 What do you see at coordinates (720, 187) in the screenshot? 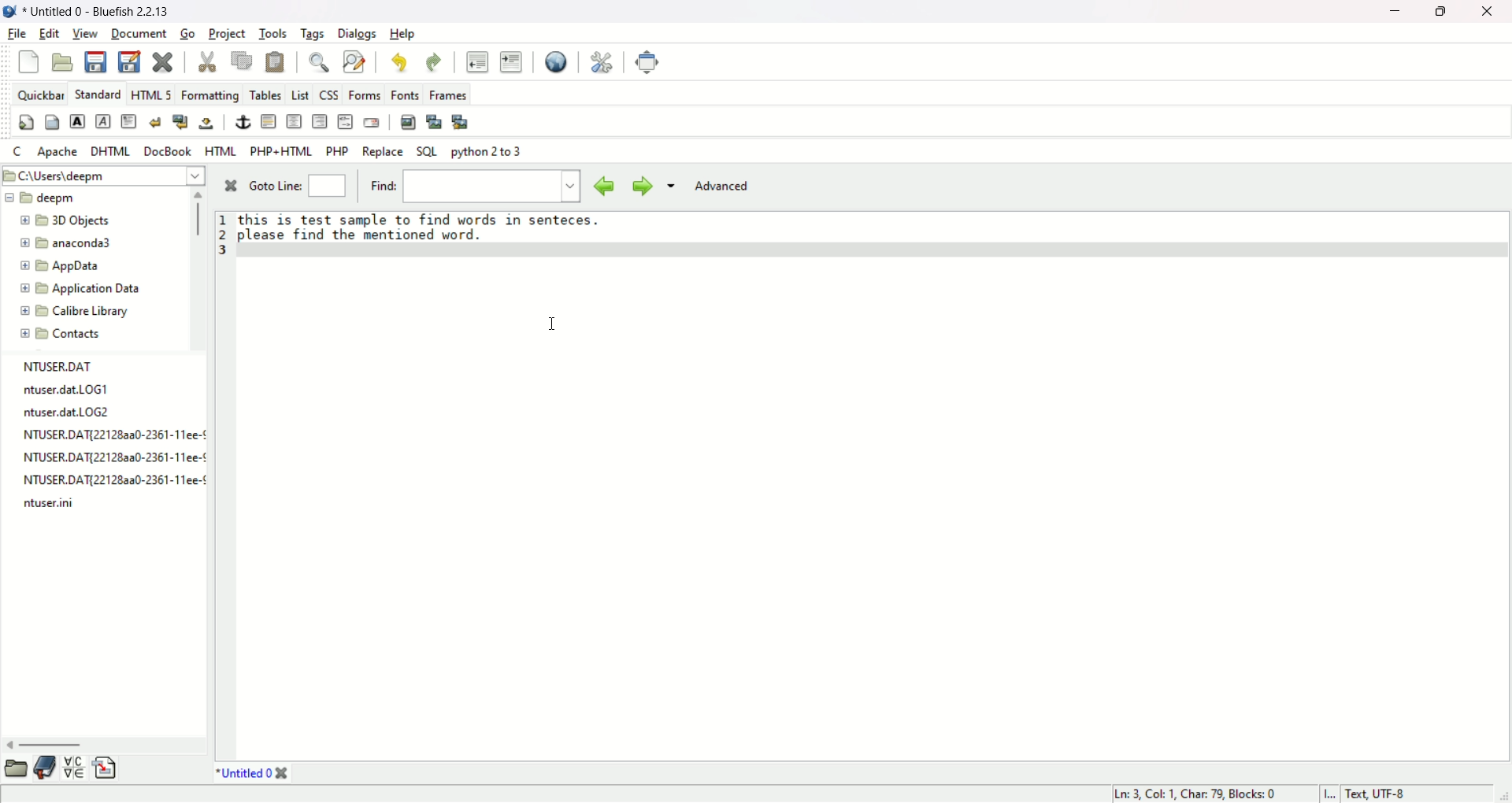
I see `advanced` at bounding box center [720, 187].